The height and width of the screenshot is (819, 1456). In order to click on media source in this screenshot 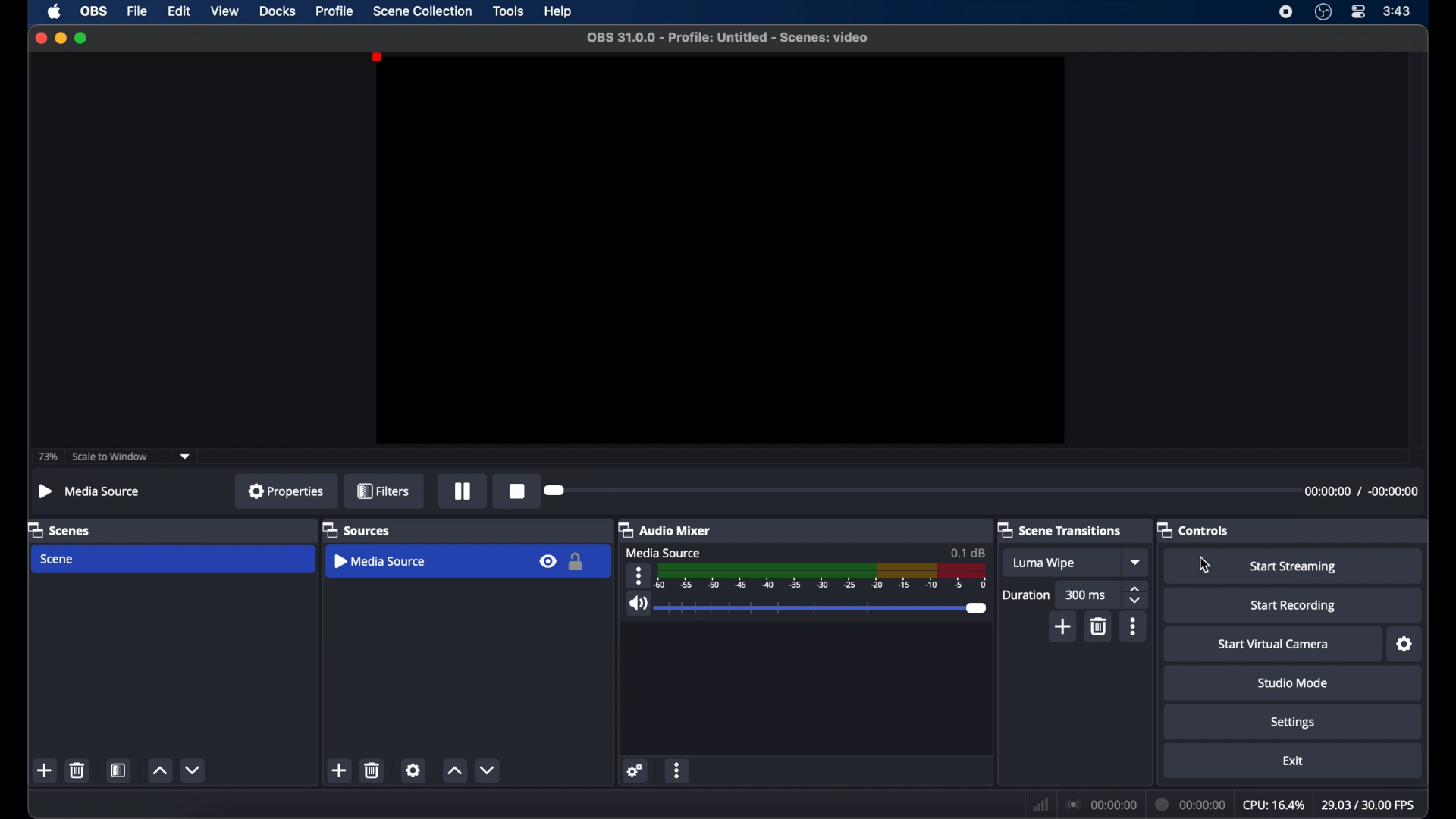, I will do `click(381, 562)`.